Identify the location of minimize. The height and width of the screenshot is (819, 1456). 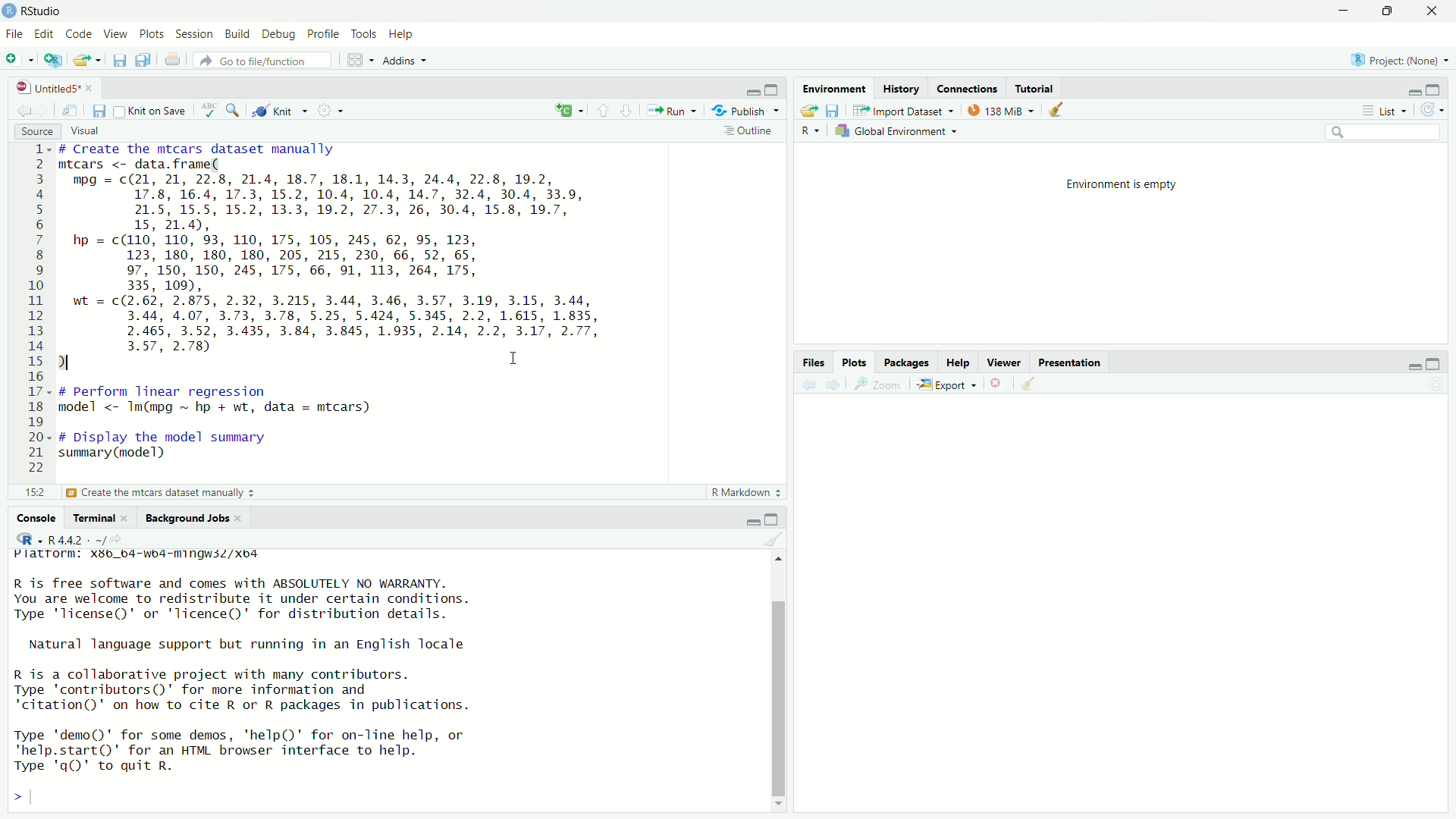
(752, 521).